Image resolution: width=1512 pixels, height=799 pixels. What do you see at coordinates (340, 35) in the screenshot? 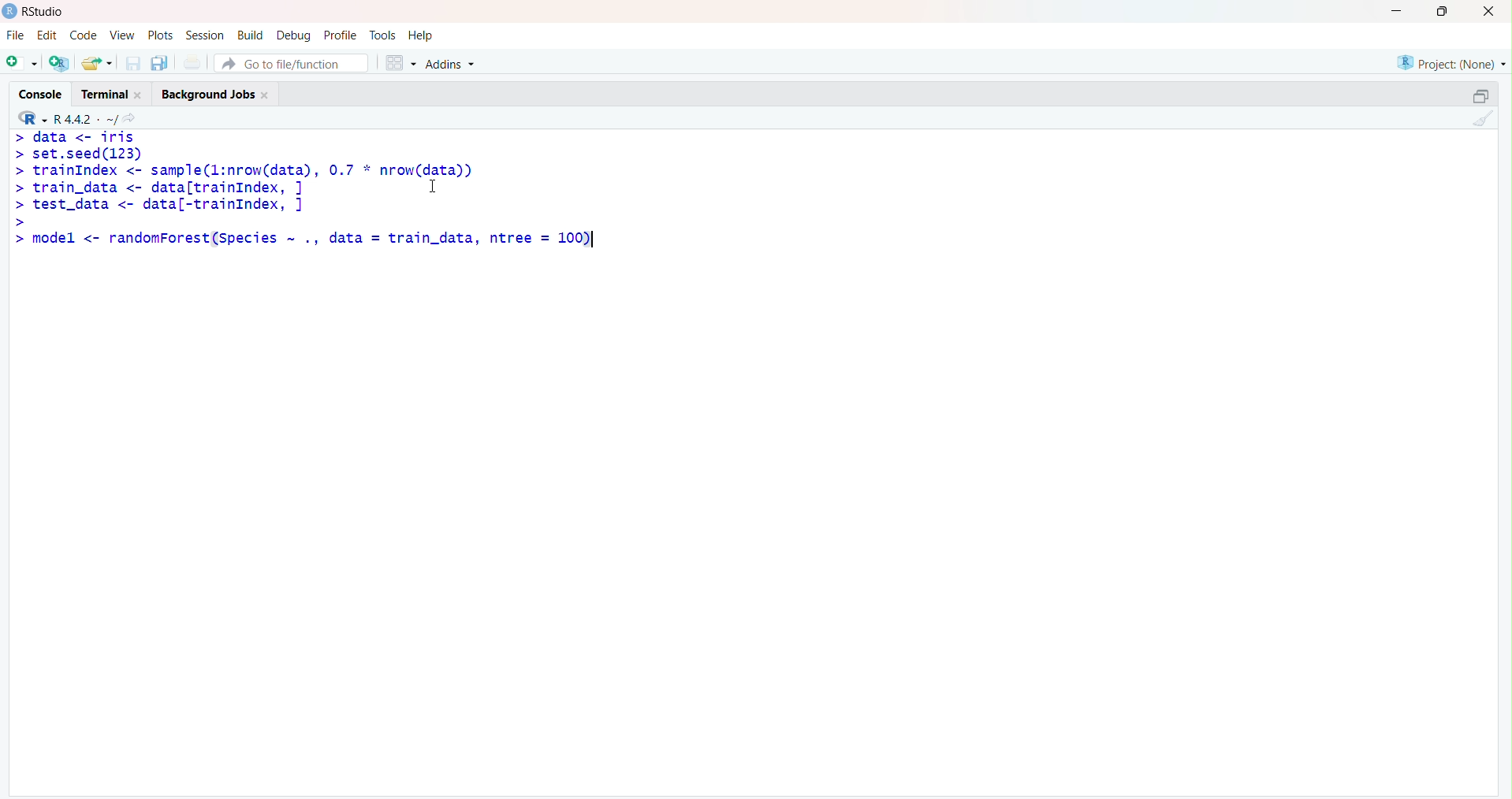
I see `Profile` at bounding box center [340, 35].